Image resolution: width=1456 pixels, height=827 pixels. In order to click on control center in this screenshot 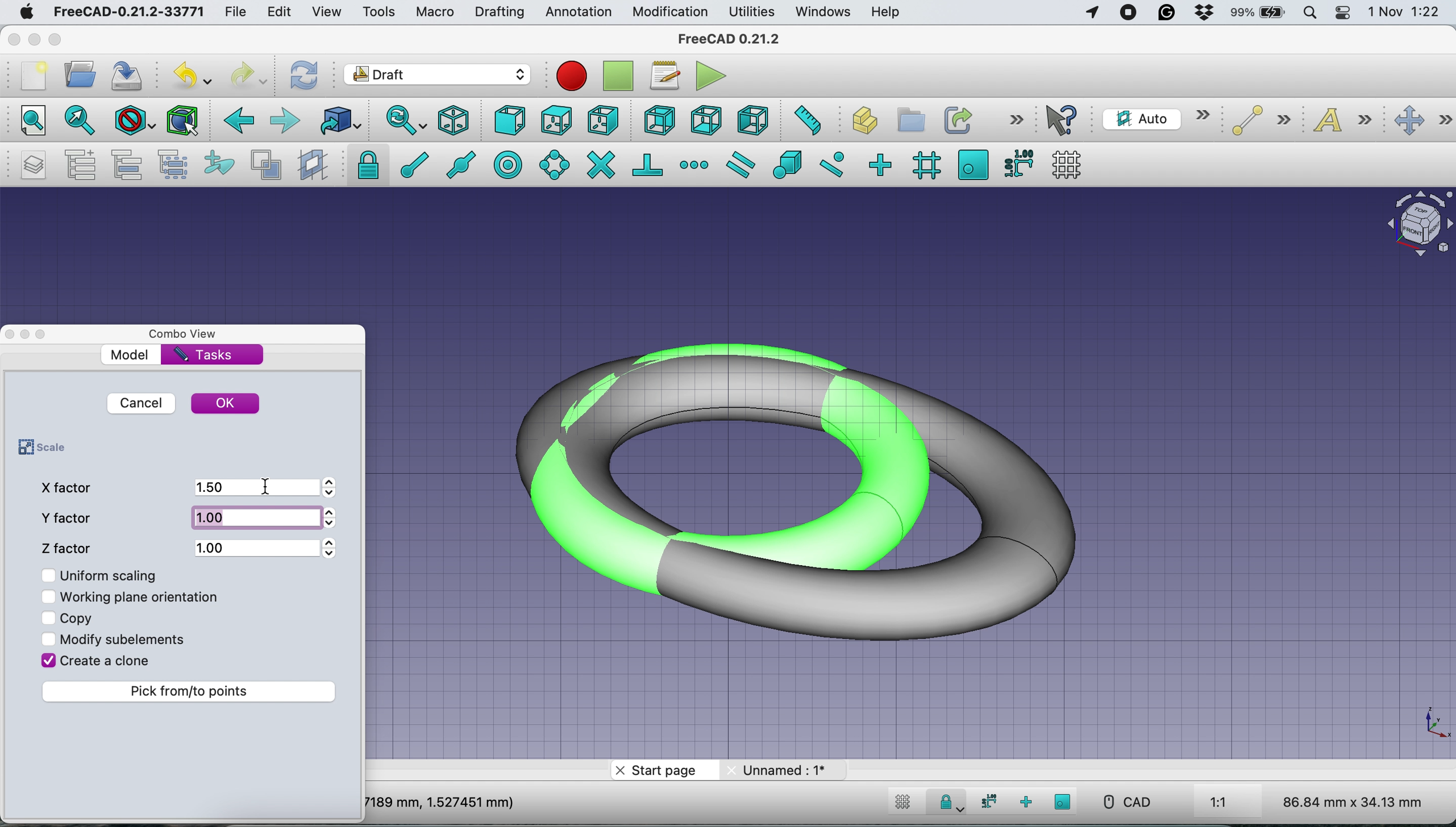, I will do `click(1342, 14)`.